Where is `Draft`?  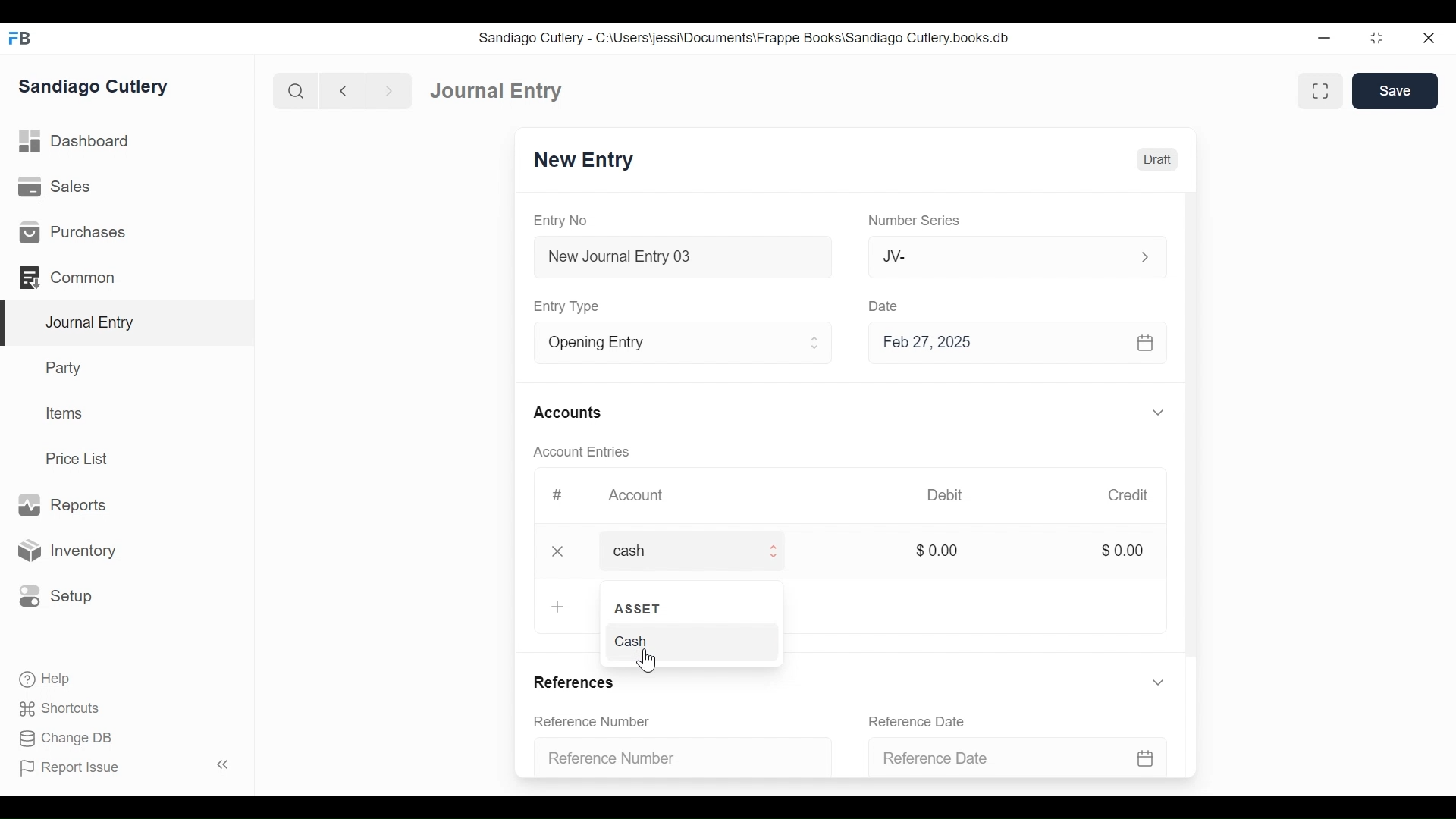 Draft is located at coordinates (1156, 161).